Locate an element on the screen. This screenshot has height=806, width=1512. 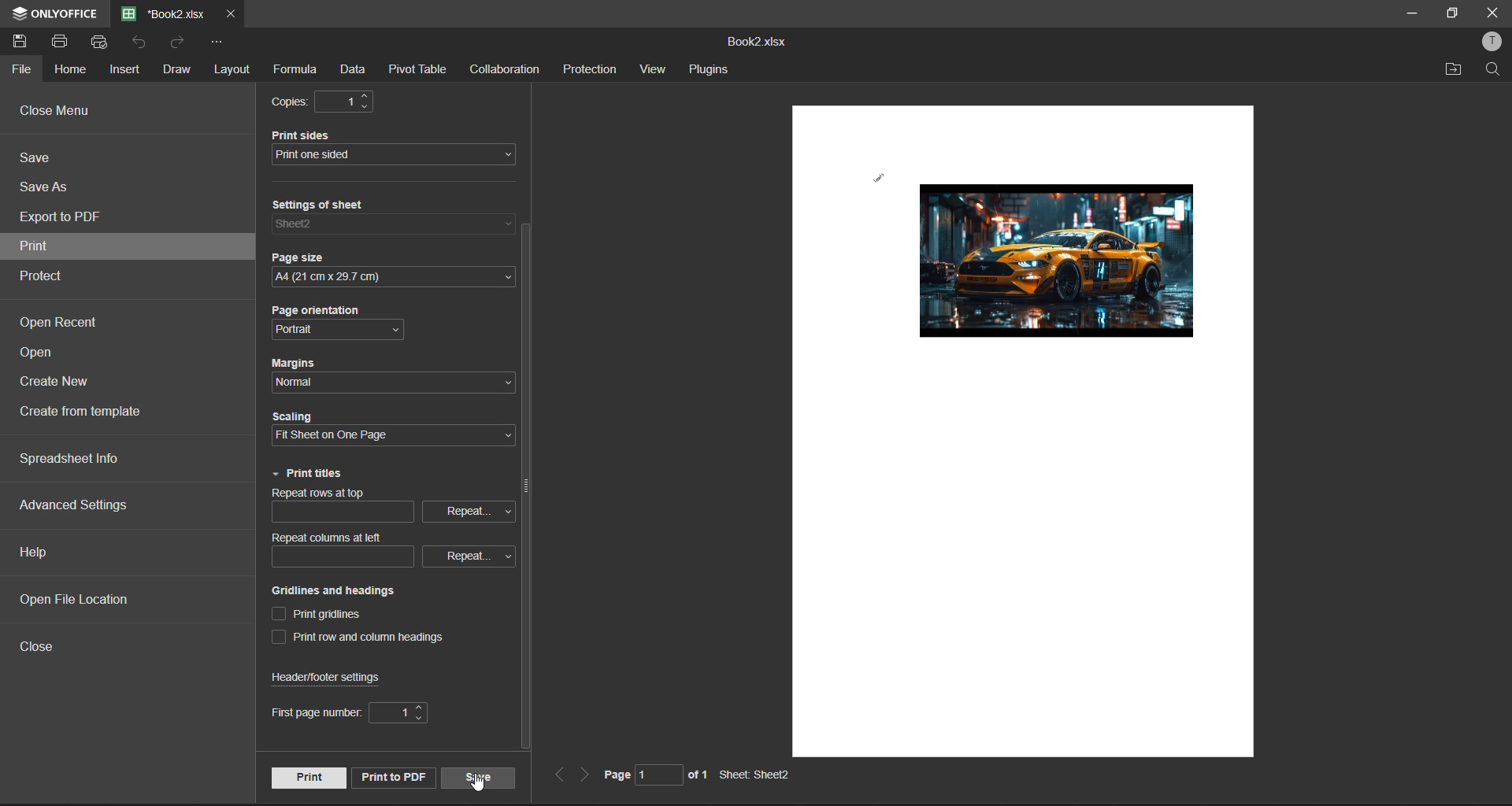
open is located at coordinates (43, 355).